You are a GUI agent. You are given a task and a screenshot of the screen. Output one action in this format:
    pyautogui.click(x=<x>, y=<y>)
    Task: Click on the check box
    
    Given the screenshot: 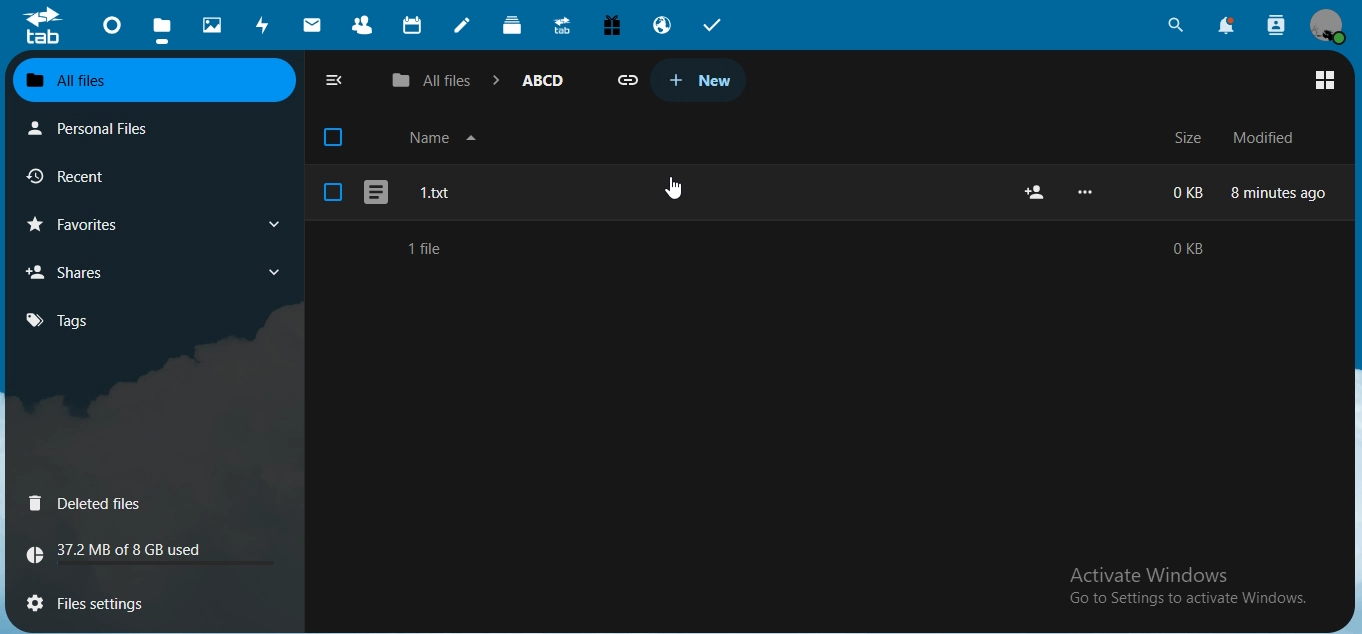 What is the action you would take?
    pyautogui.click(x=332, y=135)
    